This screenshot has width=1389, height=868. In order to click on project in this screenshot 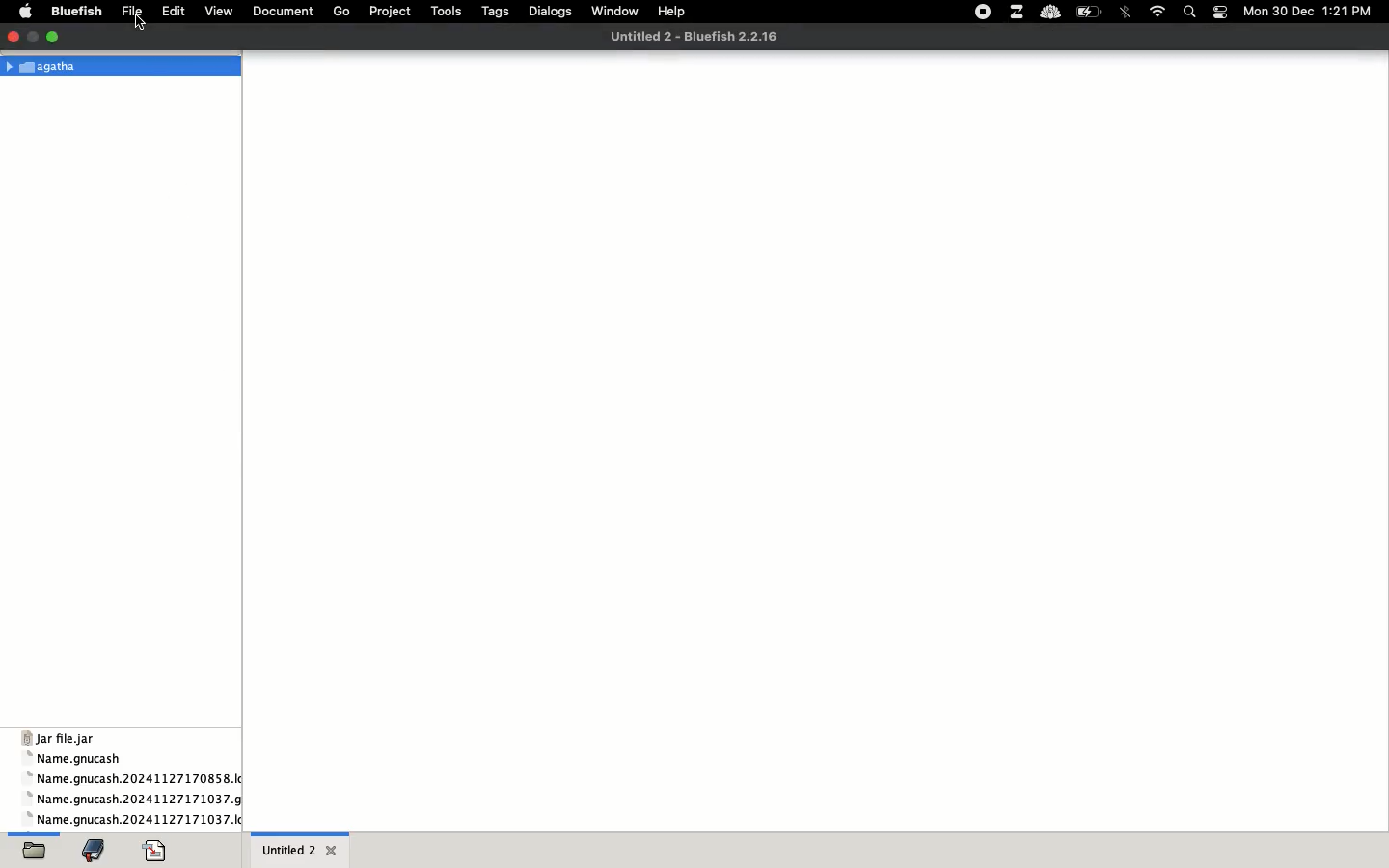, I will do `click(393, 11)`.